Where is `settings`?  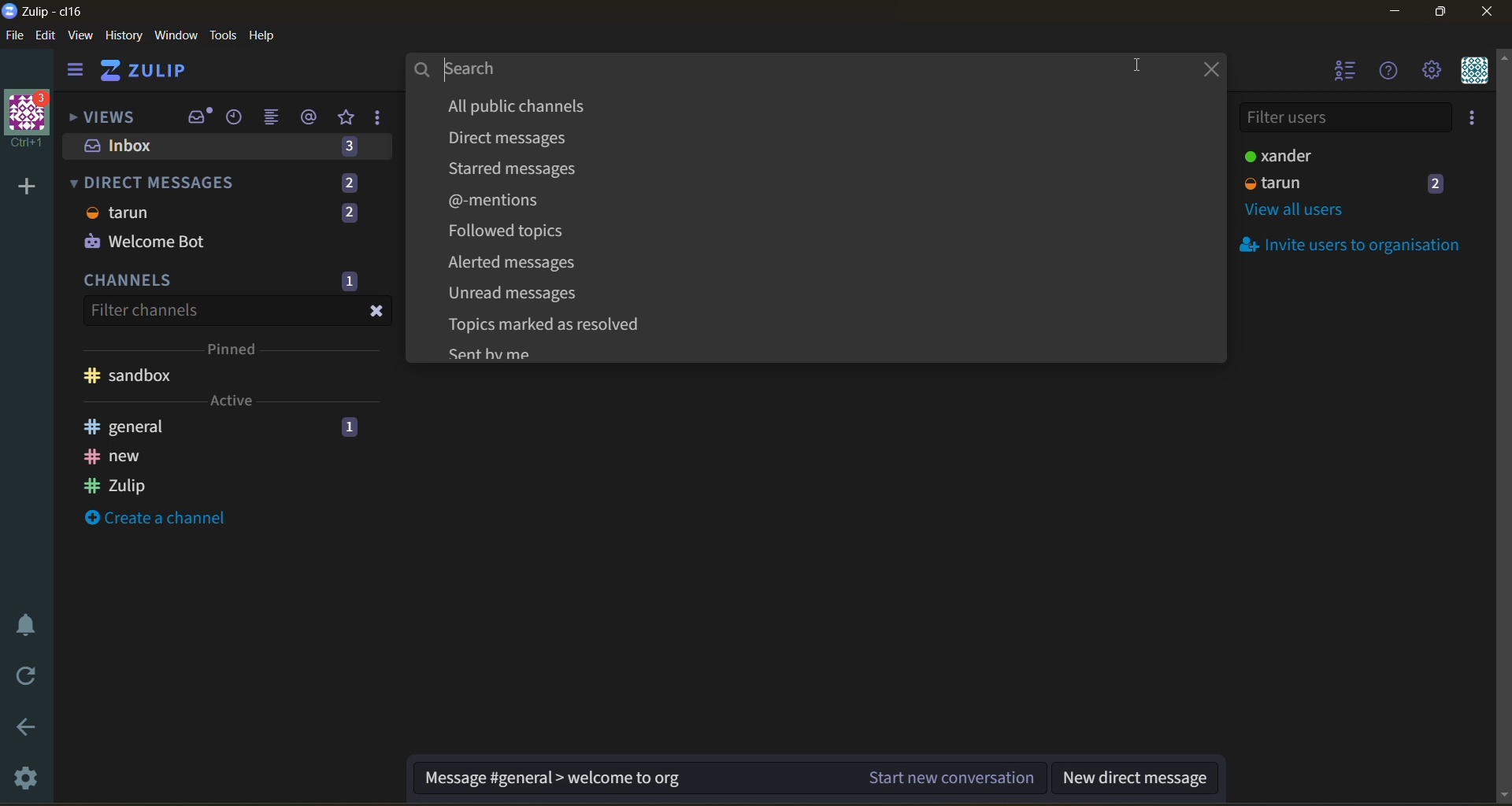 settings is located at coordinates (31, 775).